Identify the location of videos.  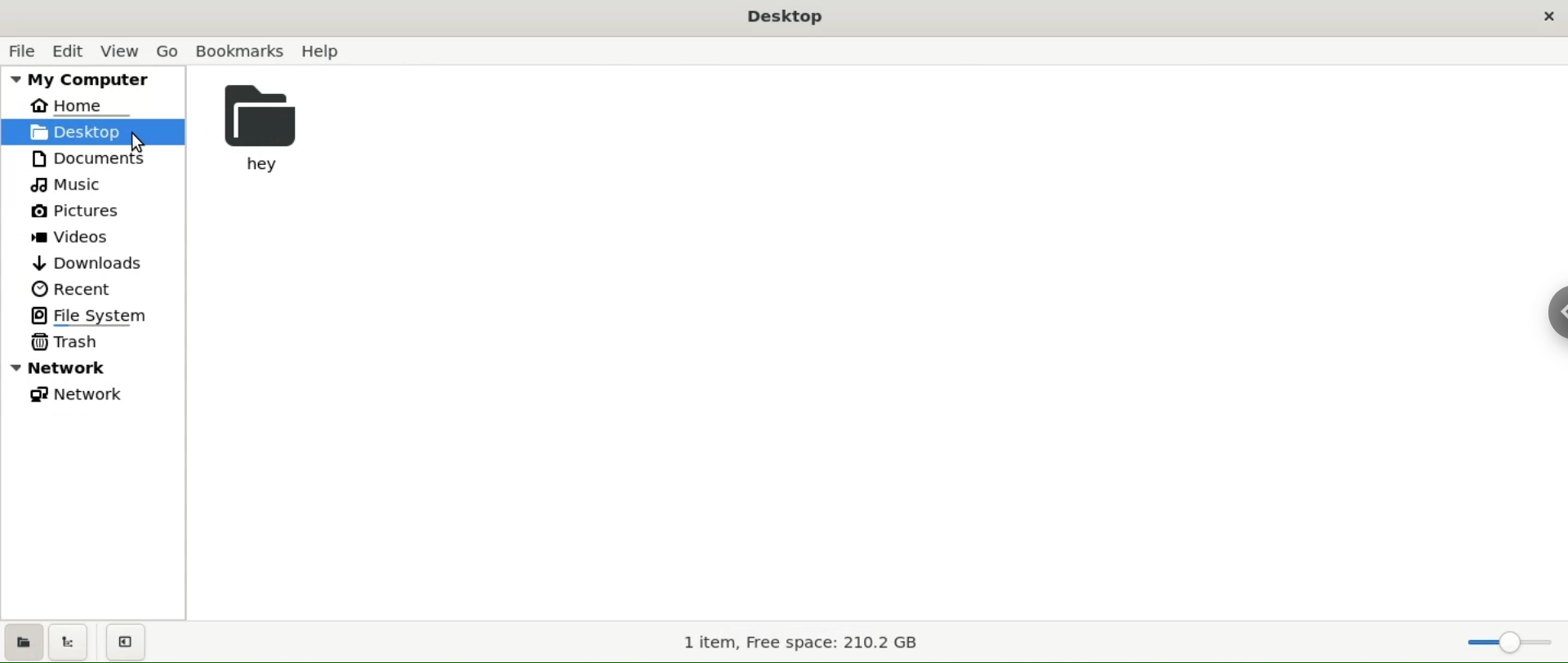
(77, 238).